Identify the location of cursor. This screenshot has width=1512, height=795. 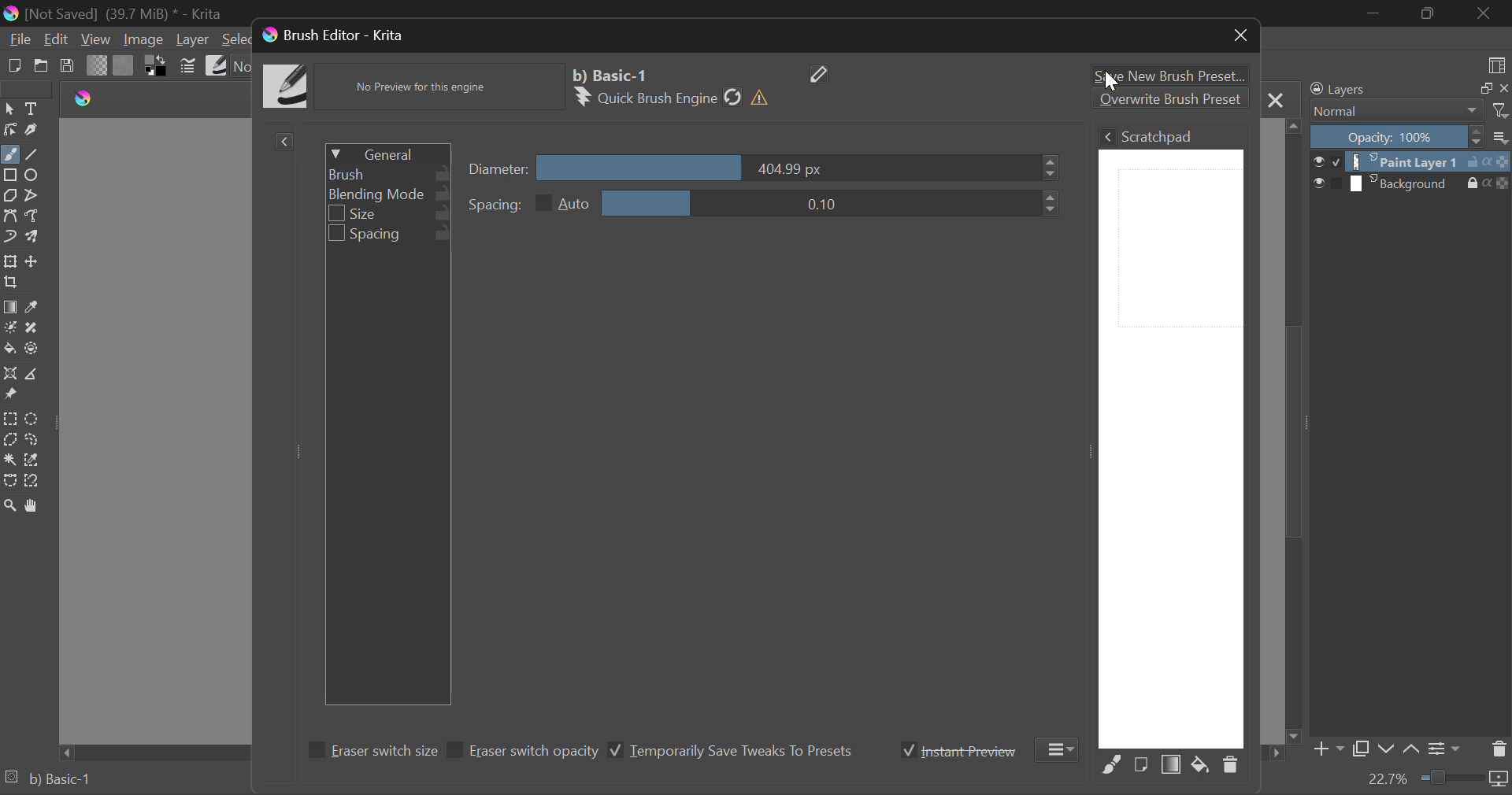
(1114, 80).